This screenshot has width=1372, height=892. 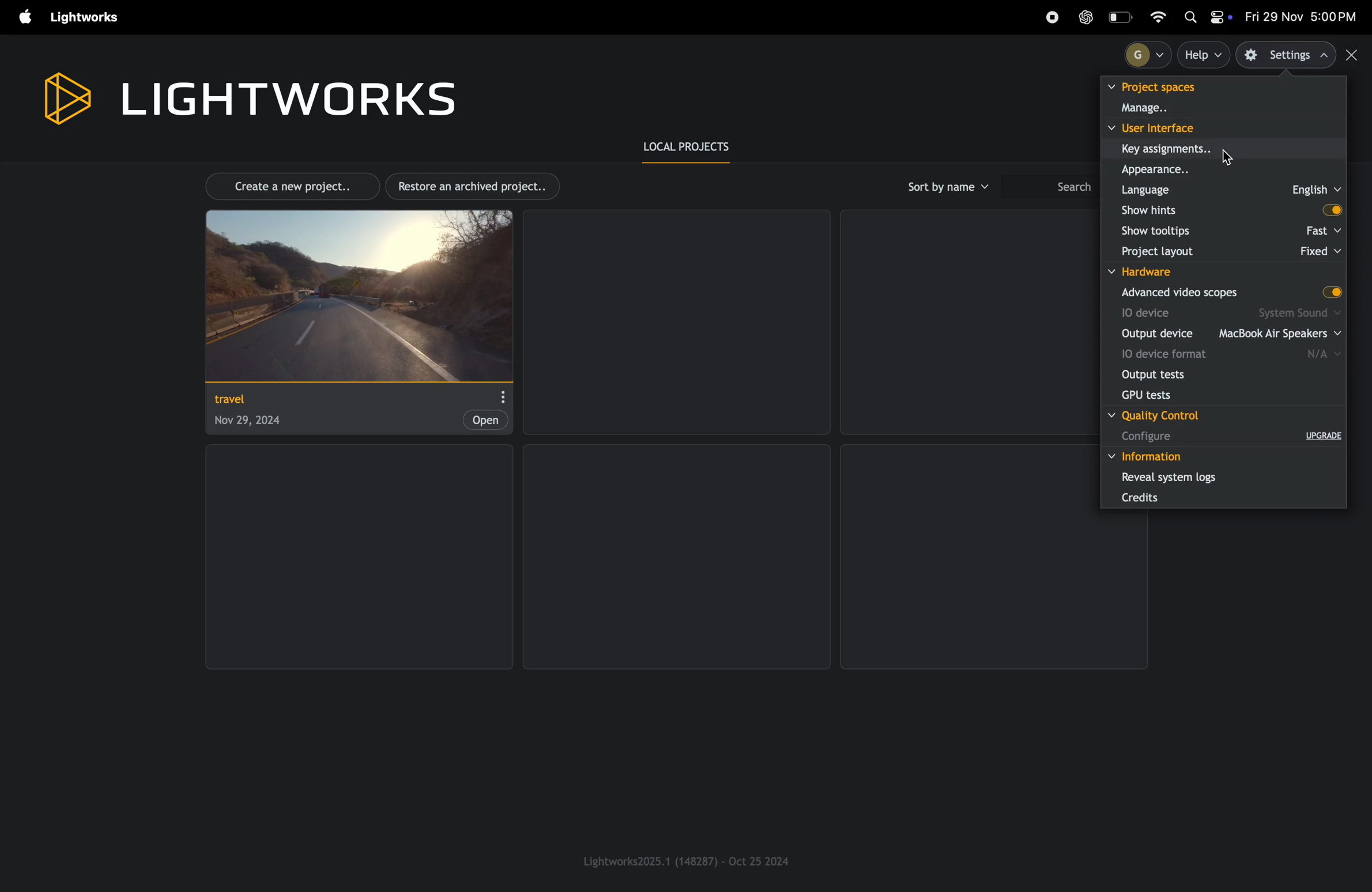 I want to click on date and time, so click(x=1303, y=17).